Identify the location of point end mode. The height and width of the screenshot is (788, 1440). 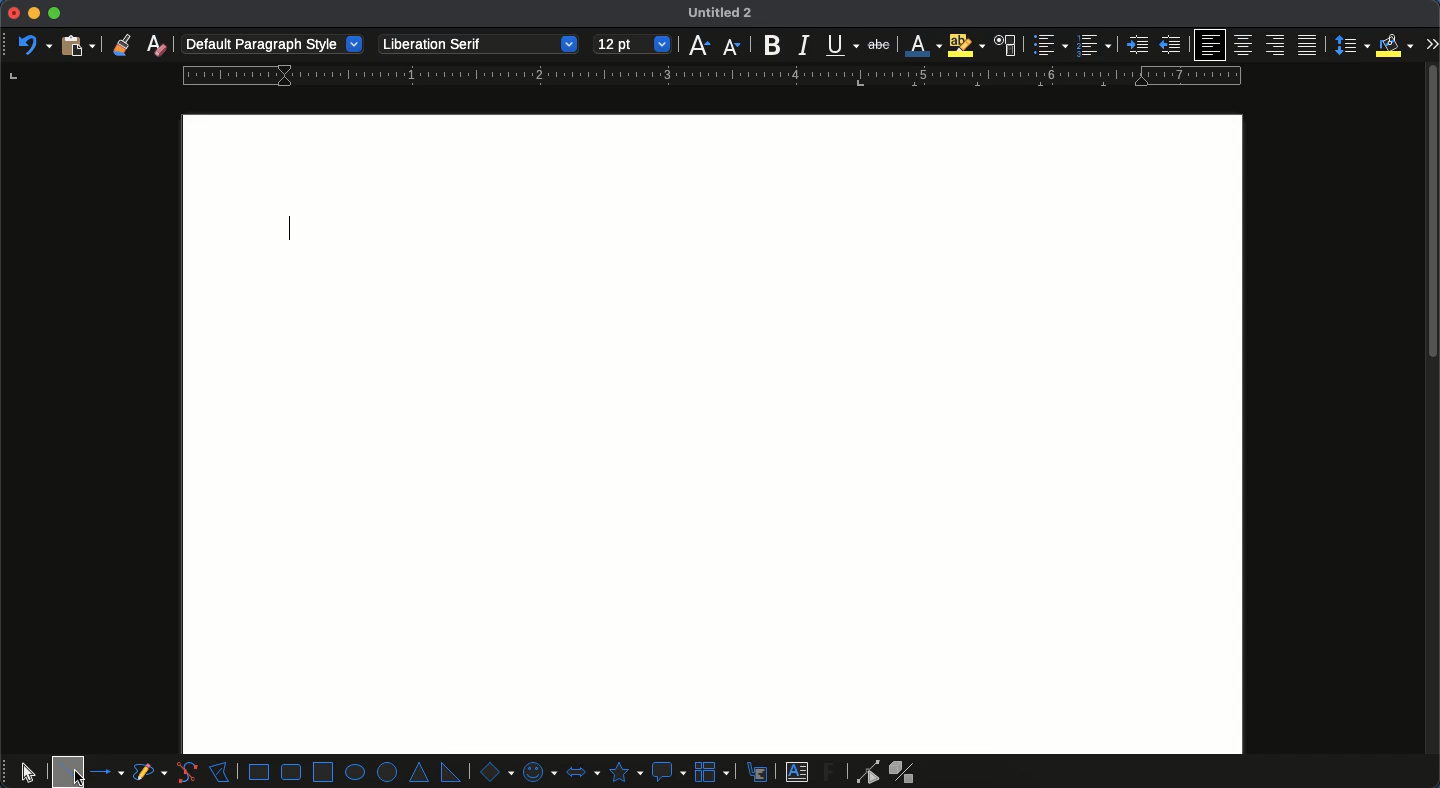
(864, 772).